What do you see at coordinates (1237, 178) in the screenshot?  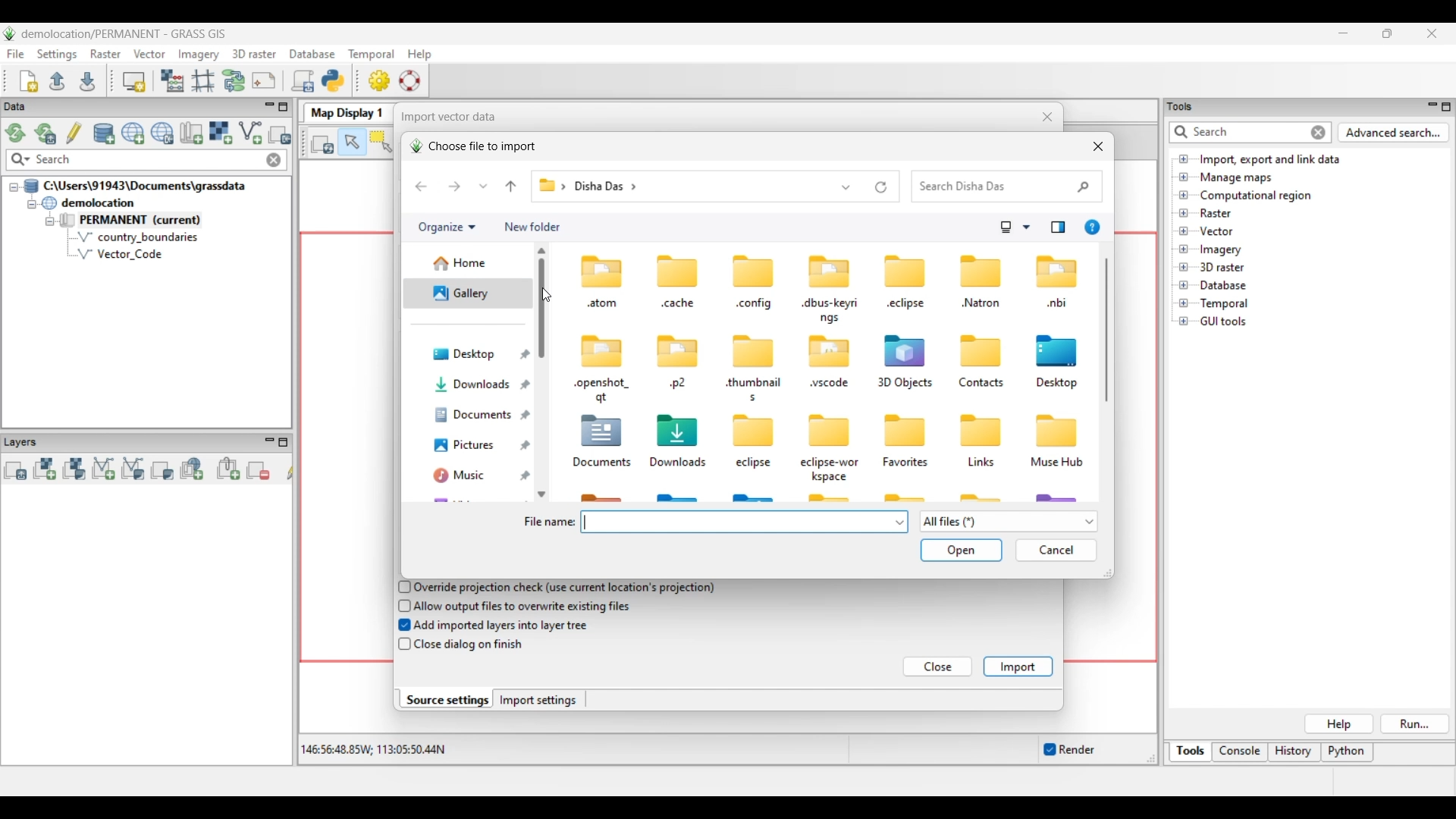 I see `Double click to see files under Manage maps` at bounding box center [1237, 178].